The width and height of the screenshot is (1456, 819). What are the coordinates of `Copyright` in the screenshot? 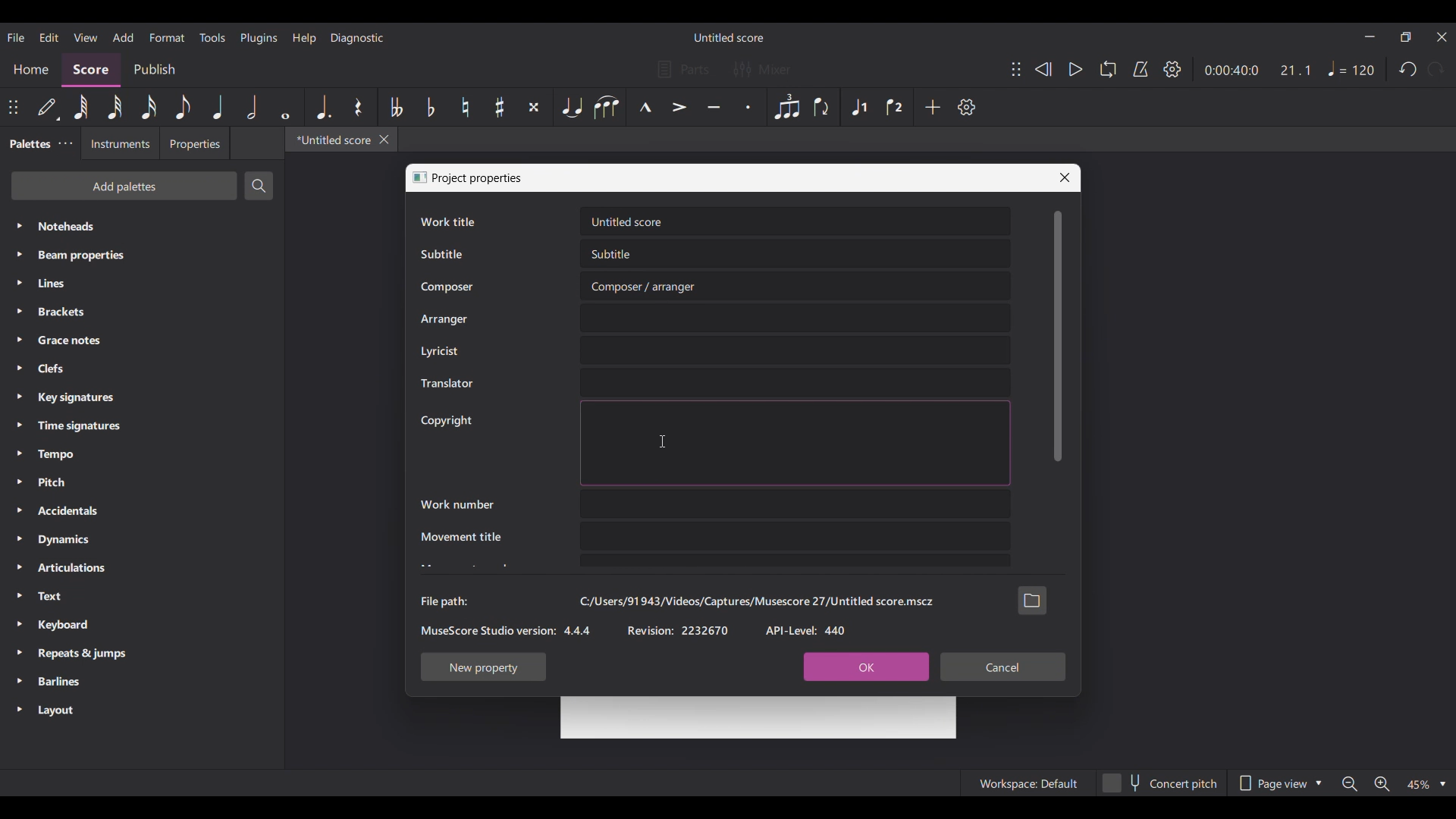 It's located at (446, 421).